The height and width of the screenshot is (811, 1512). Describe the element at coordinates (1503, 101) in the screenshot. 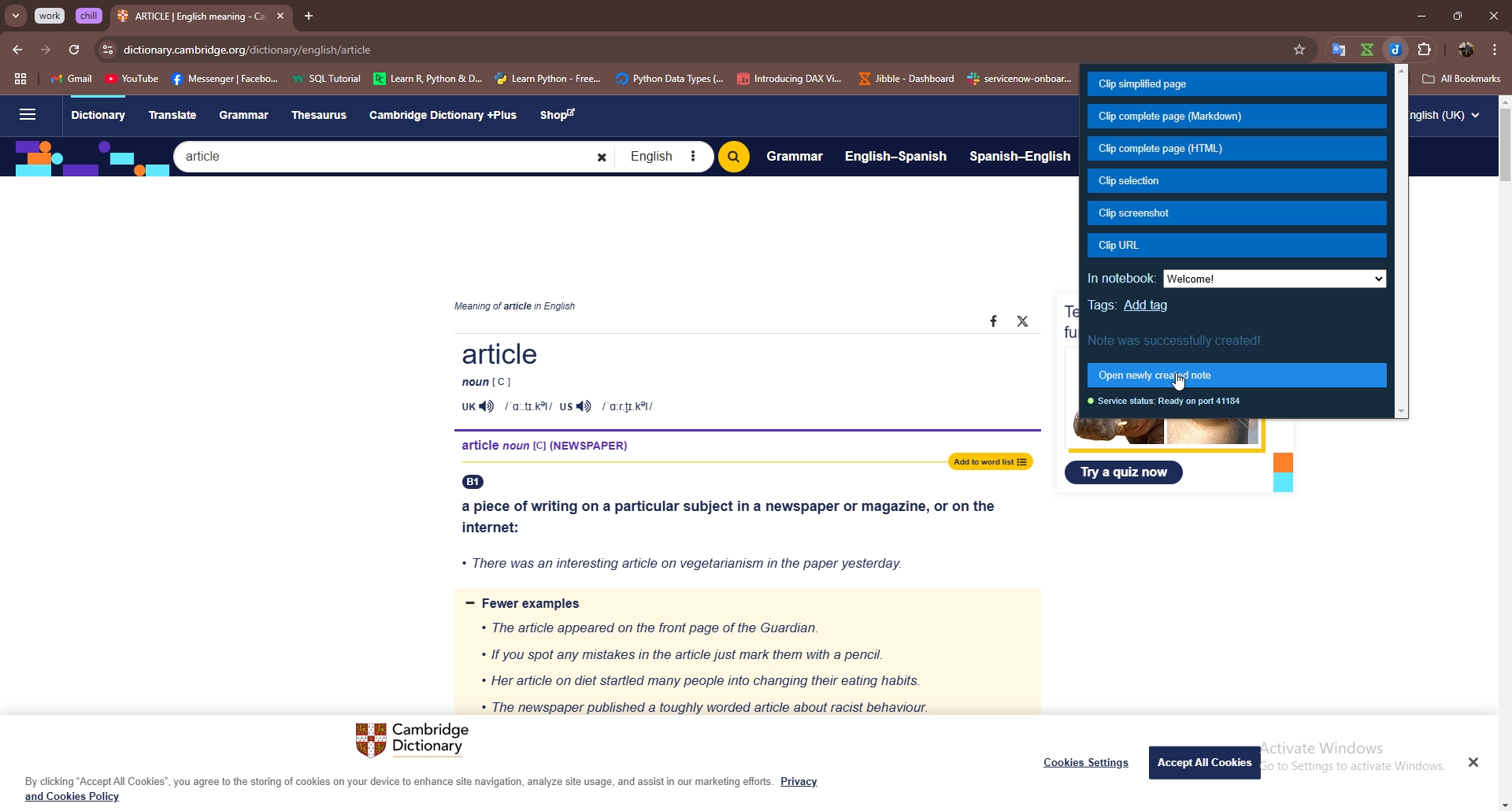

I see `scroll up` at that location.